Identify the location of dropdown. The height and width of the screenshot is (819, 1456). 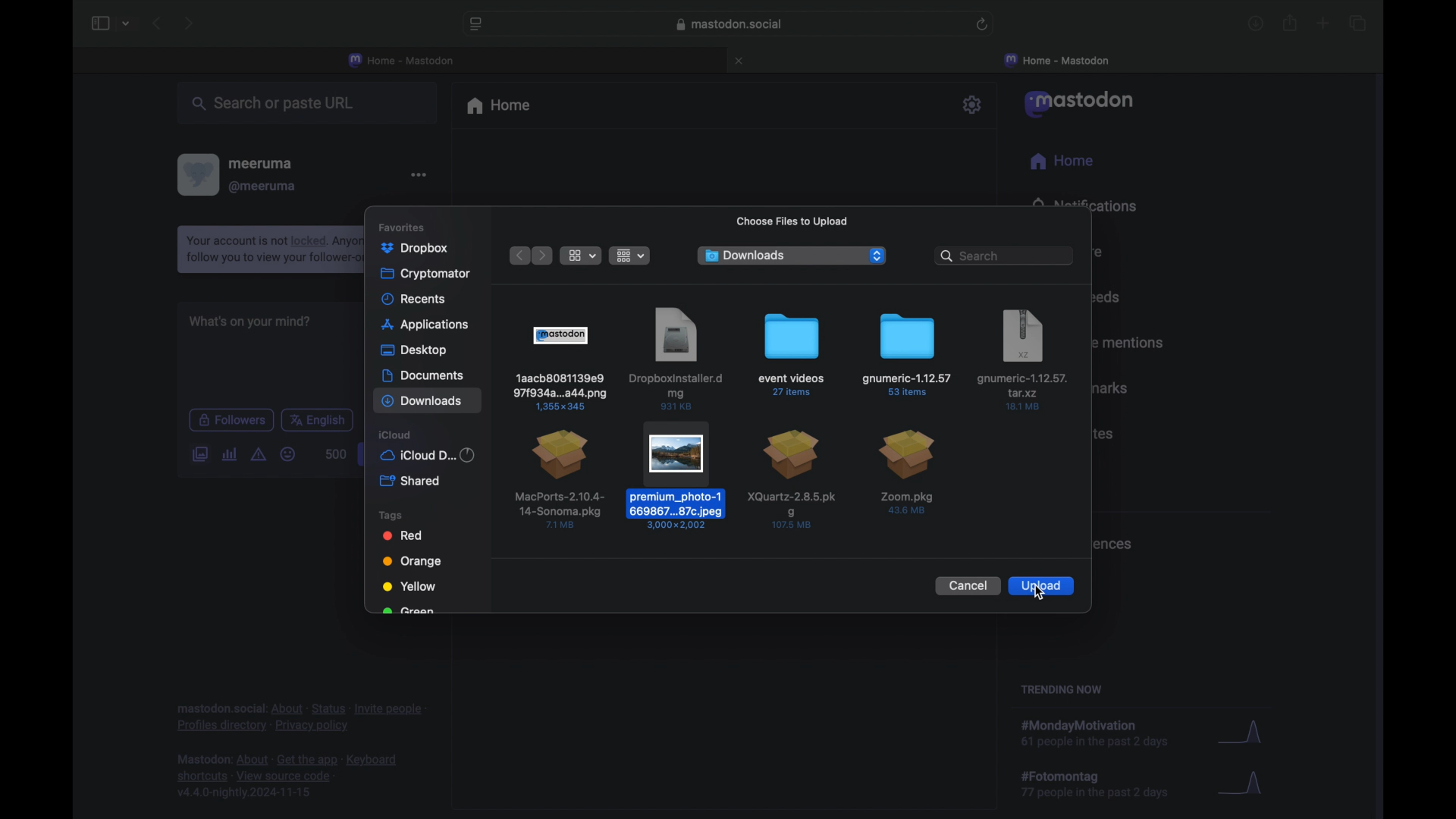
(875, 255).